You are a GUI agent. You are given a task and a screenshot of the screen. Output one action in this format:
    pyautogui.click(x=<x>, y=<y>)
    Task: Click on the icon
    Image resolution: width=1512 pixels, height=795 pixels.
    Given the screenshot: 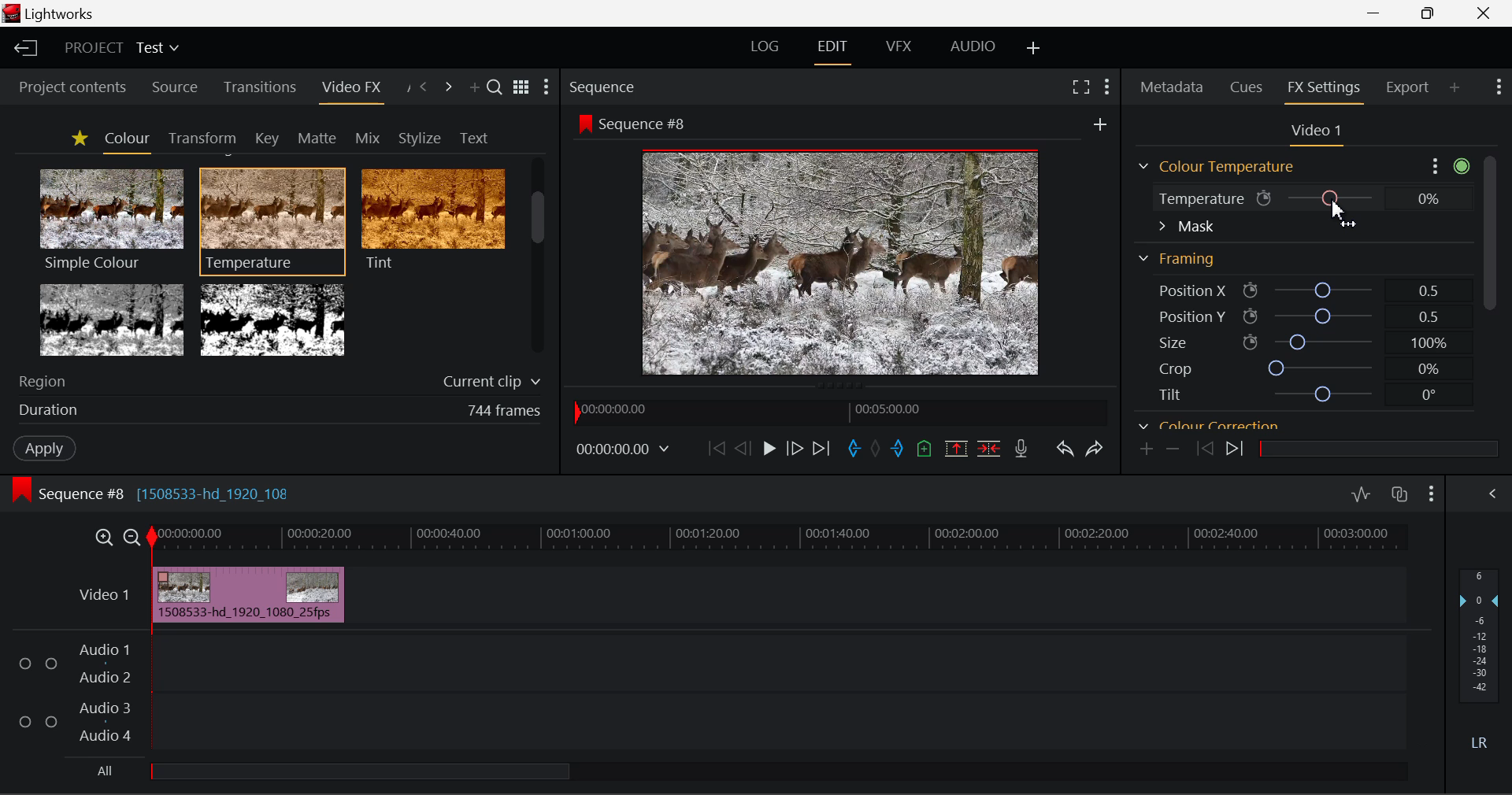 What is the action you would take?
    pyautogui.click(x=1250, y=342)
    